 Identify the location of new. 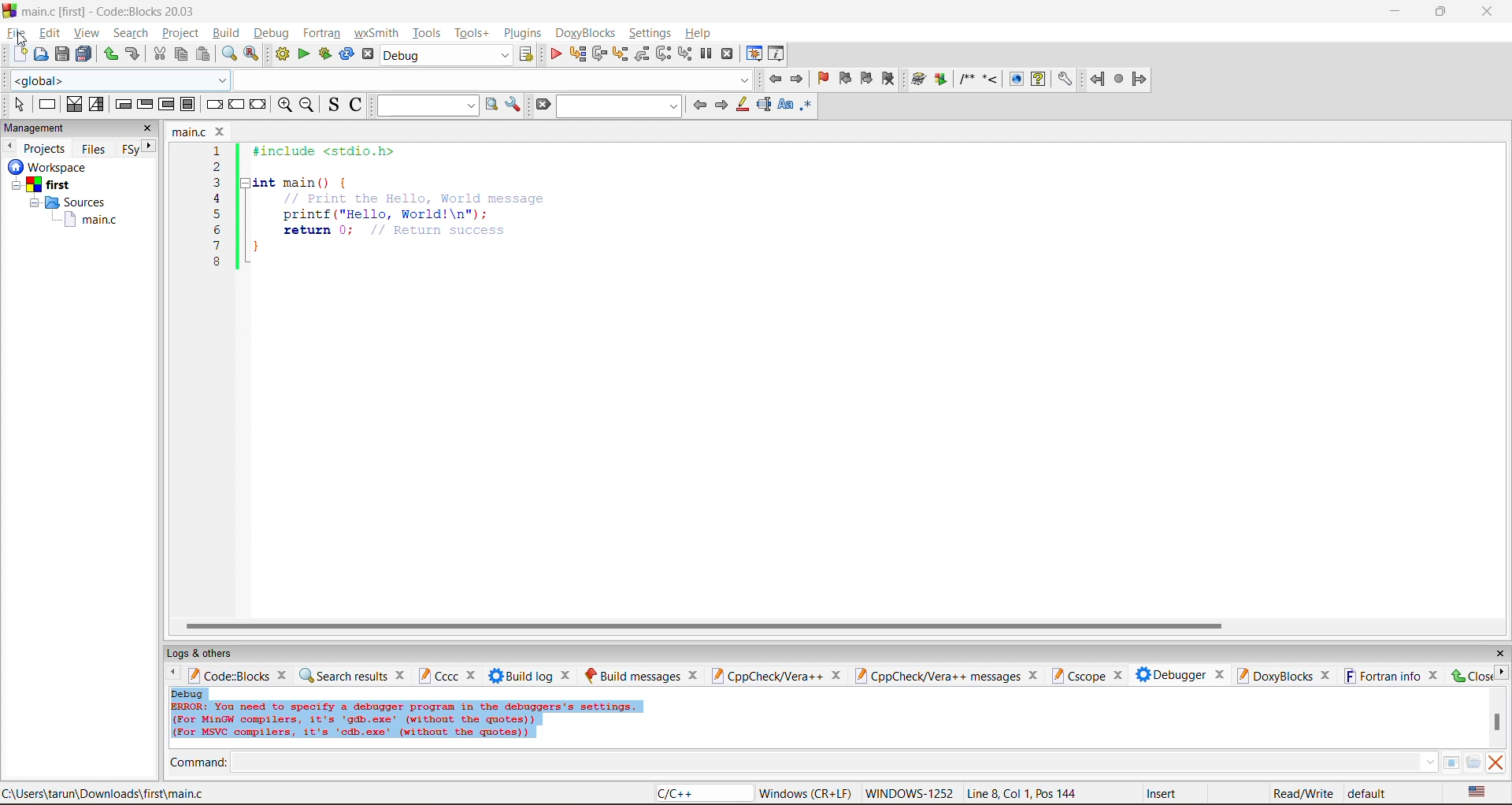
(20, 54).